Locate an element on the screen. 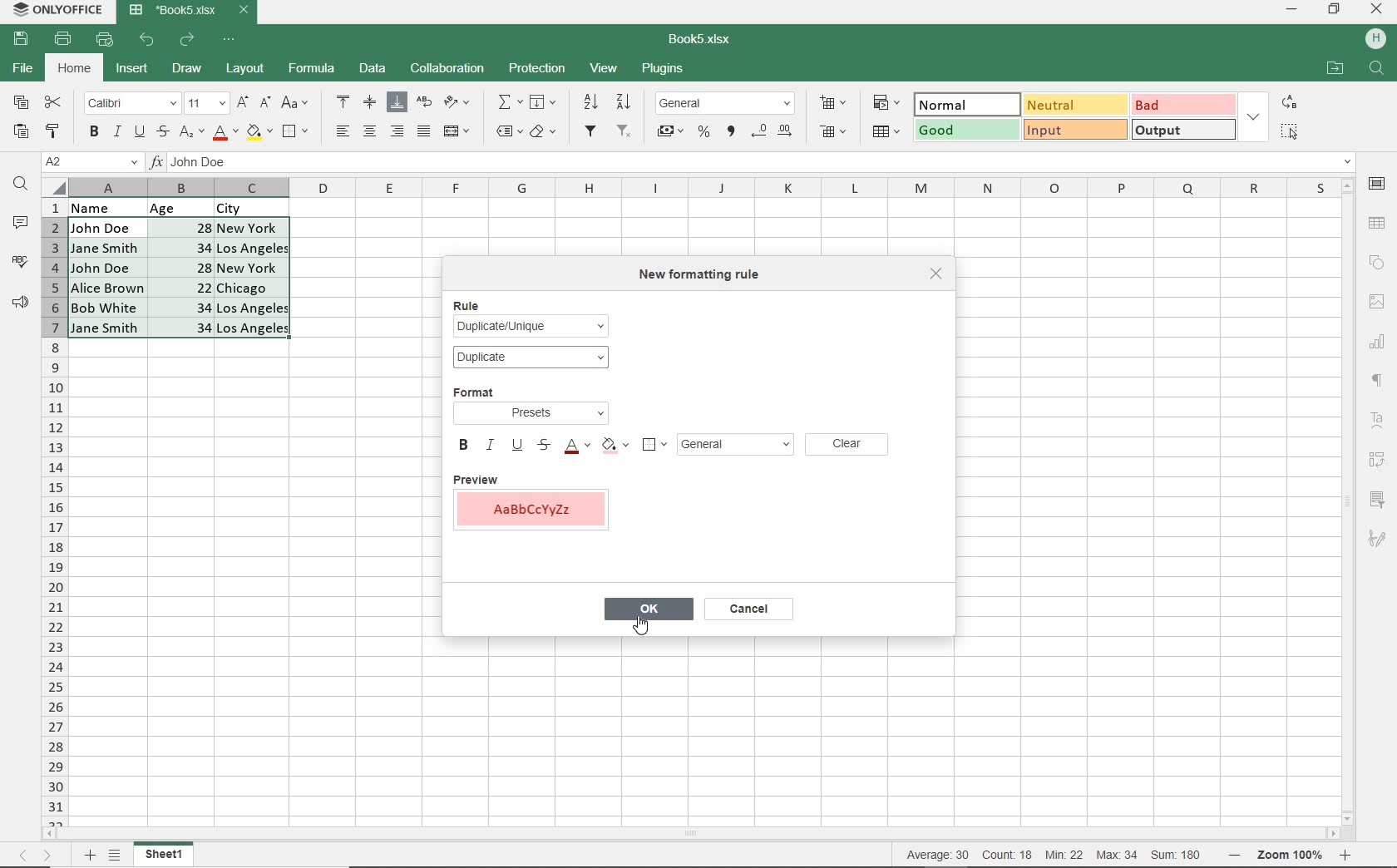 The image size is (1397, 868). VIEW is located at coordinates (605, 67).